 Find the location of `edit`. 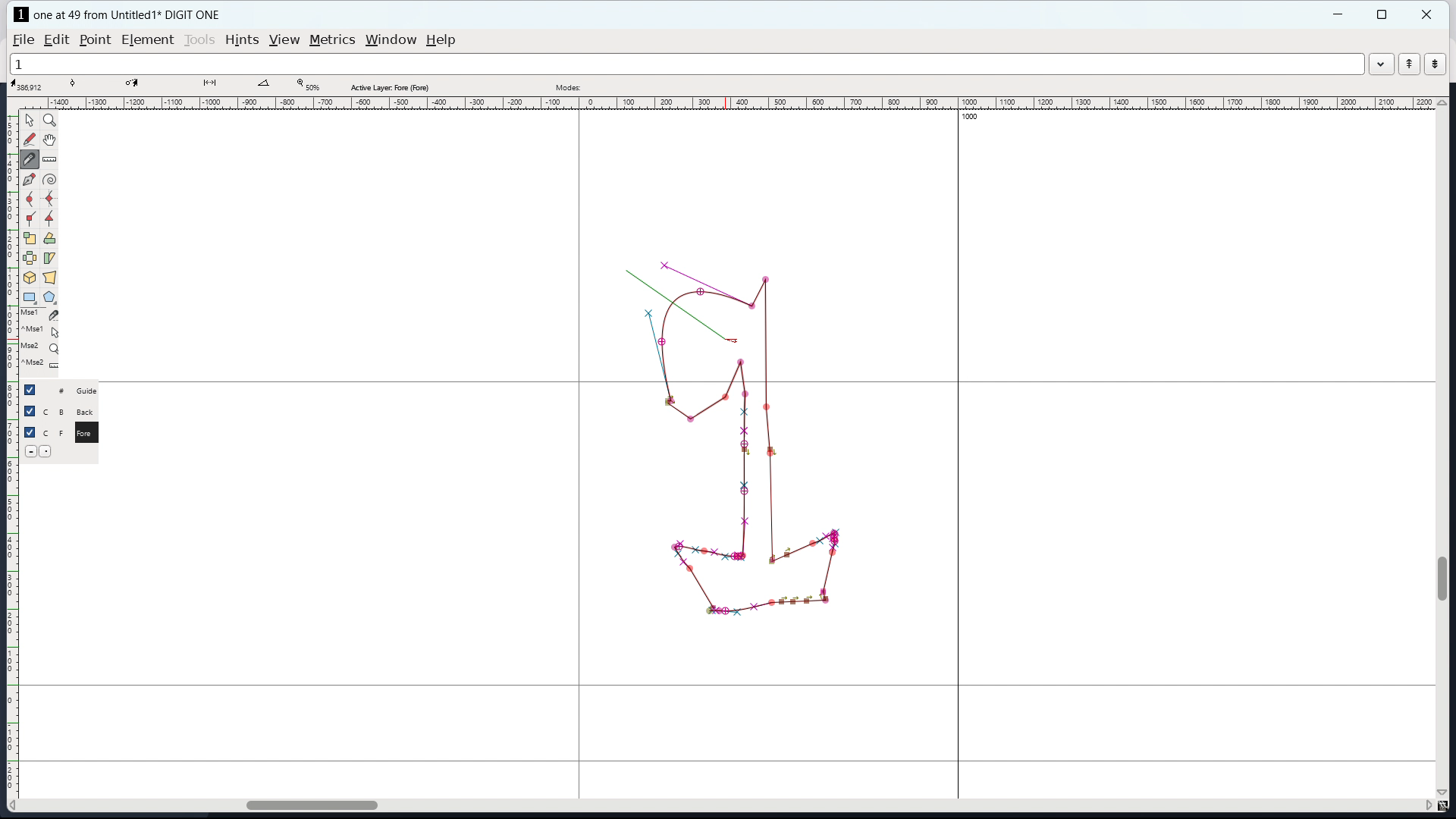

edit is located at coordinates (56, 40).